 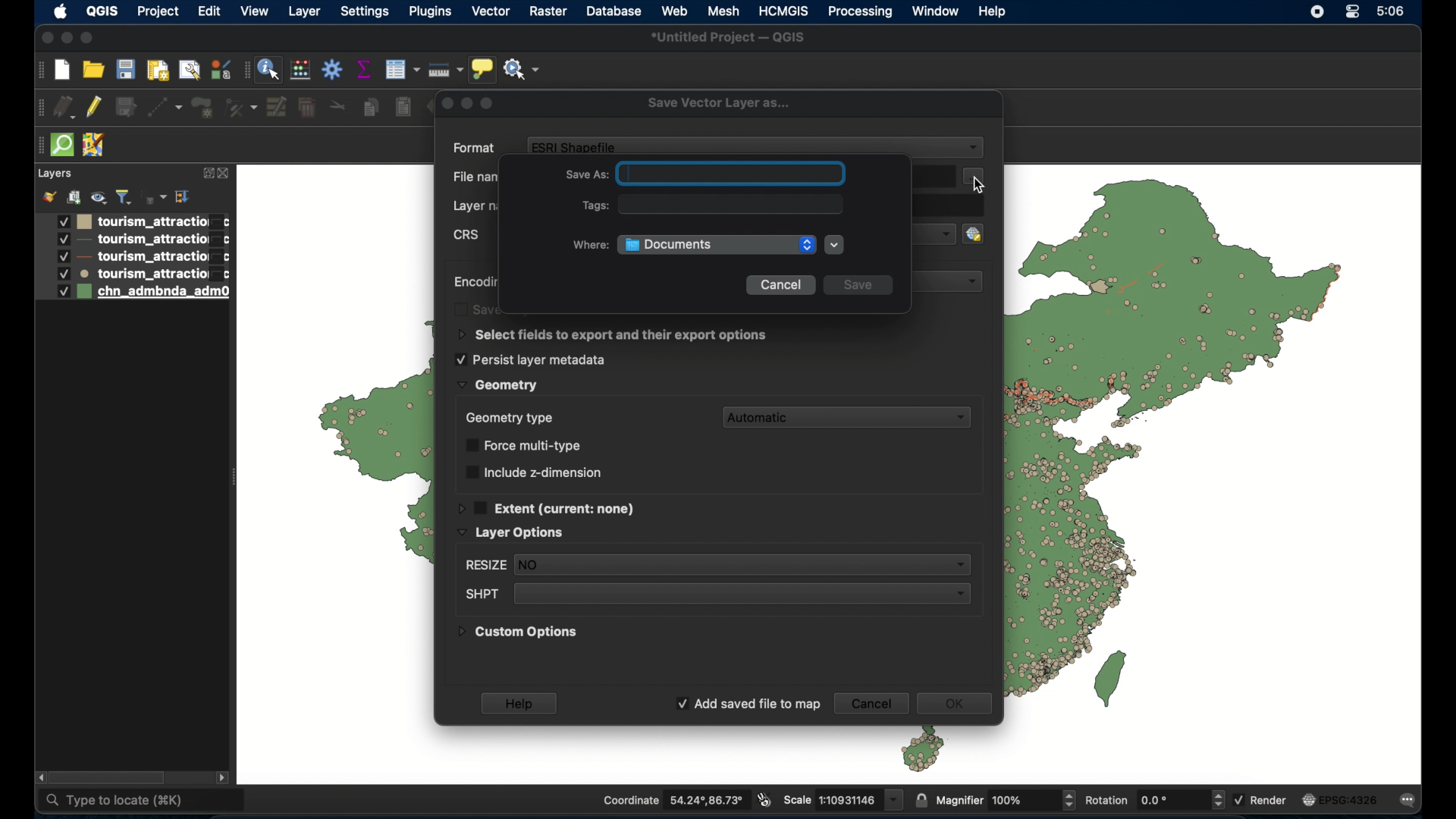 What do you see at coordinates (548, 507) in the screenshot?
I see `extent` at bounding box center [548, 507].